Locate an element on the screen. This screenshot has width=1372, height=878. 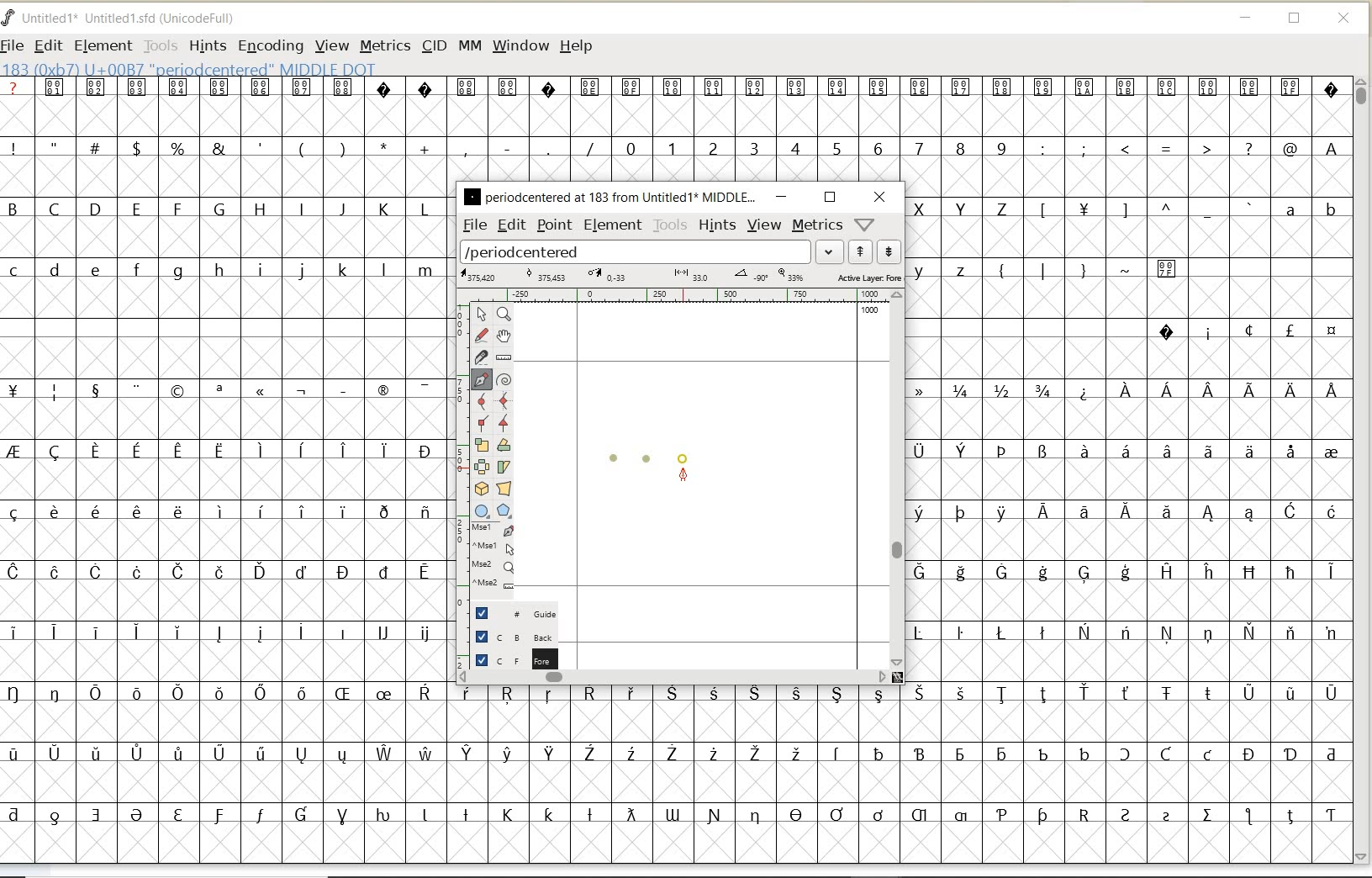
Add a corner point is located at coordinates (504, 421).